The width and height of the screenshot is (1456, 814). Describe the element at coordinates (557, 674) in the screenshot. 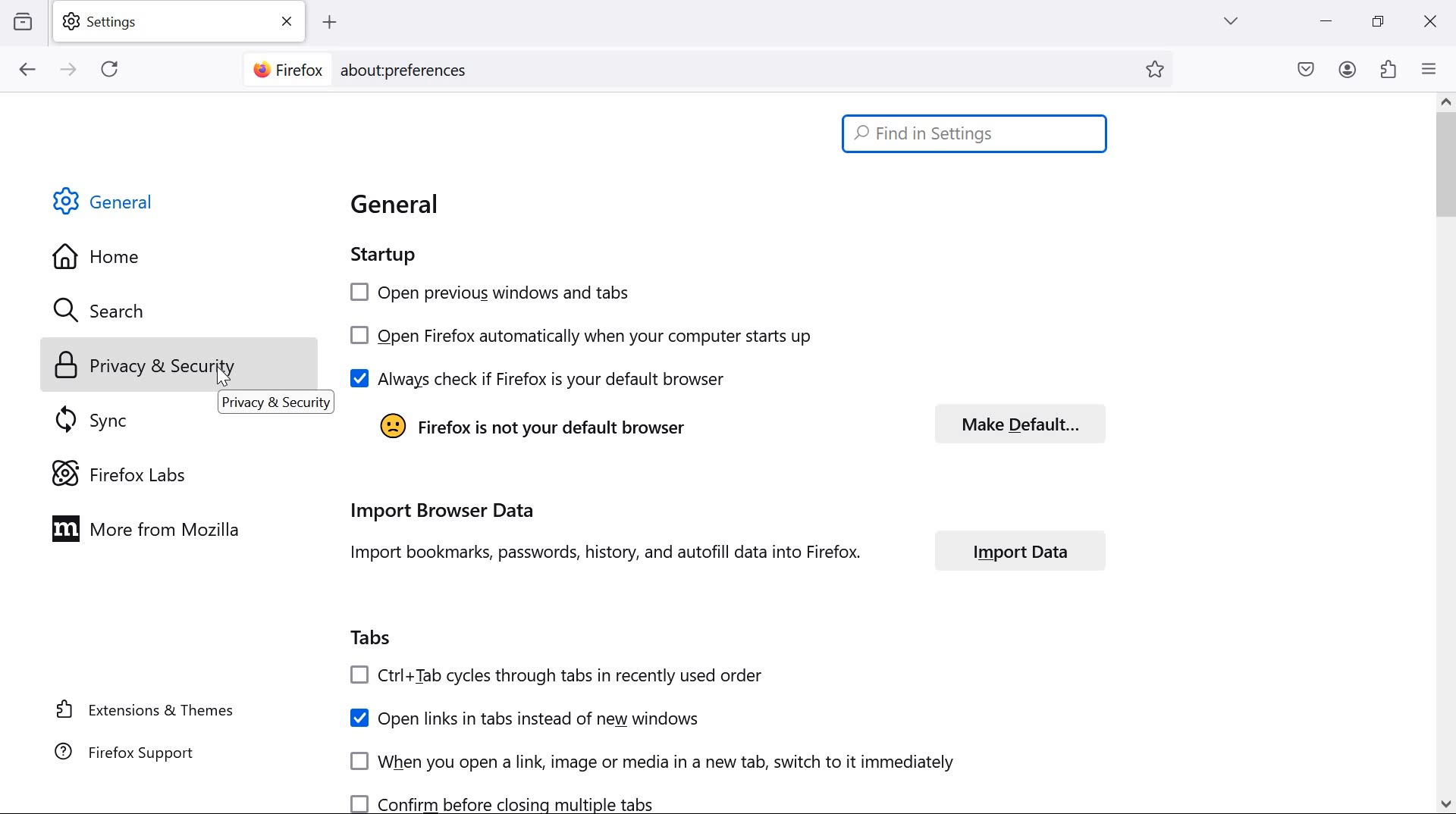

I see `Ctrl+Tab cycles through tabs in recently used order` at that location.